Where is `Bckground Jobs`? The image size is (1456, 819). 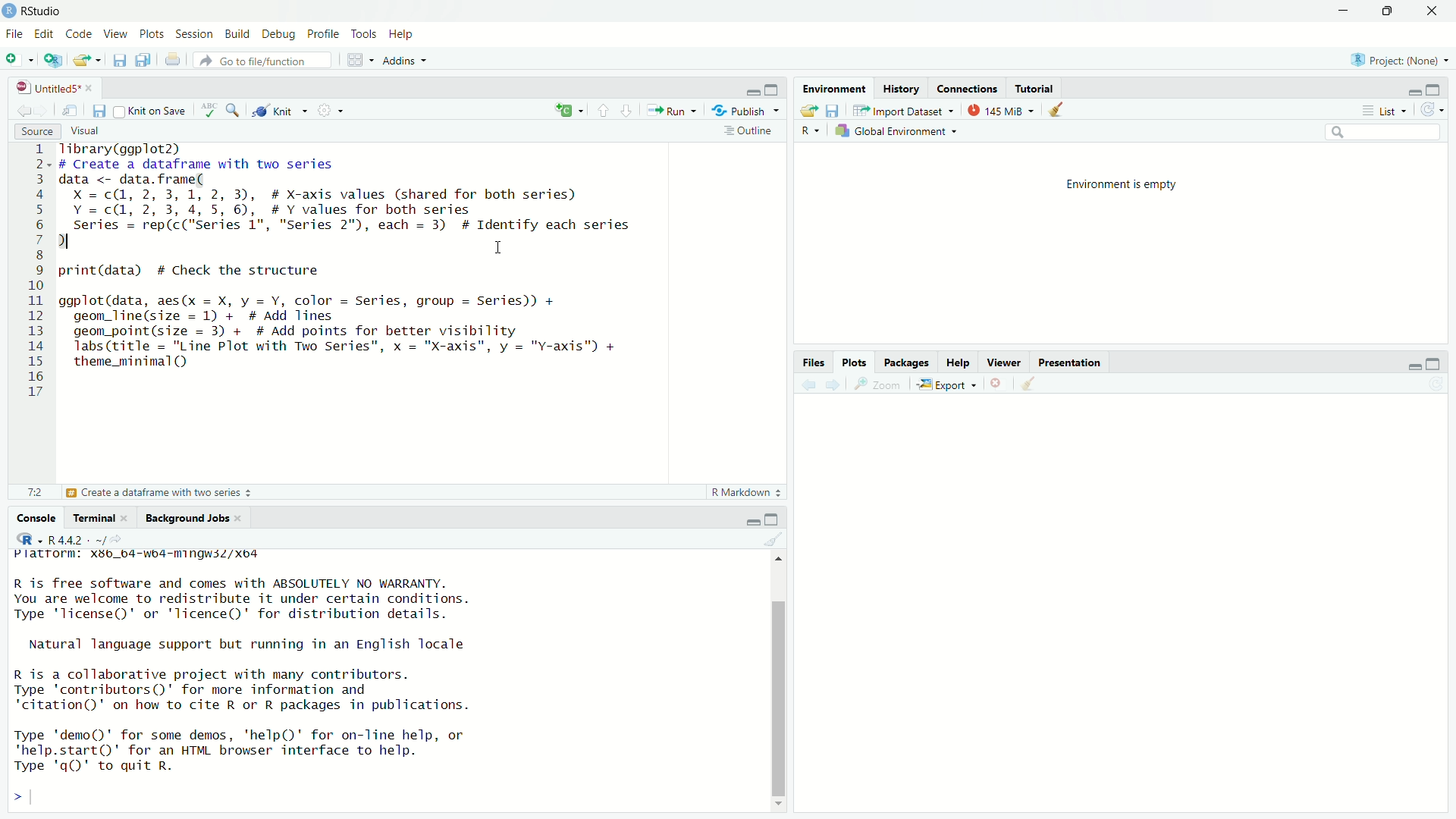
Bckground Jobs is located at coordinates (192, 516).